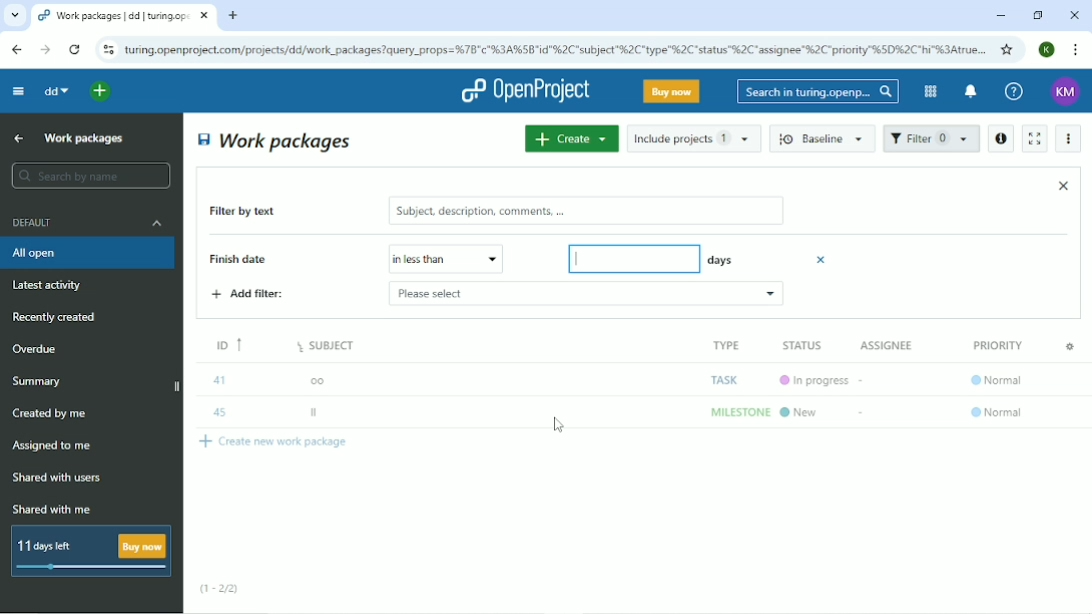  What do you see at coordinates (672, 91) in the screenshot?
I see `Buy now` at bounding box center [672, 91].